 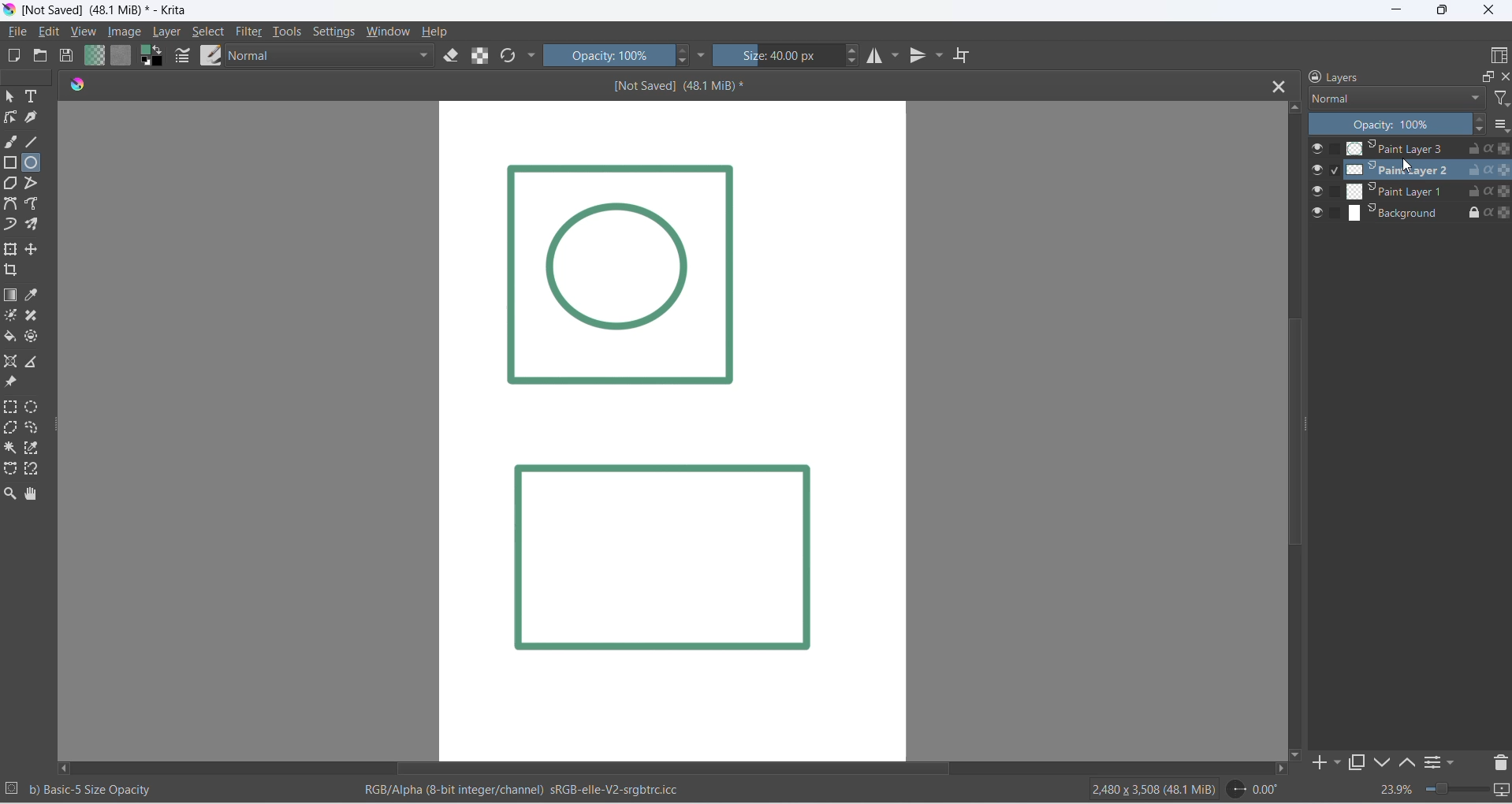 I want to click on checkbox, so click(x=1334, y=189).